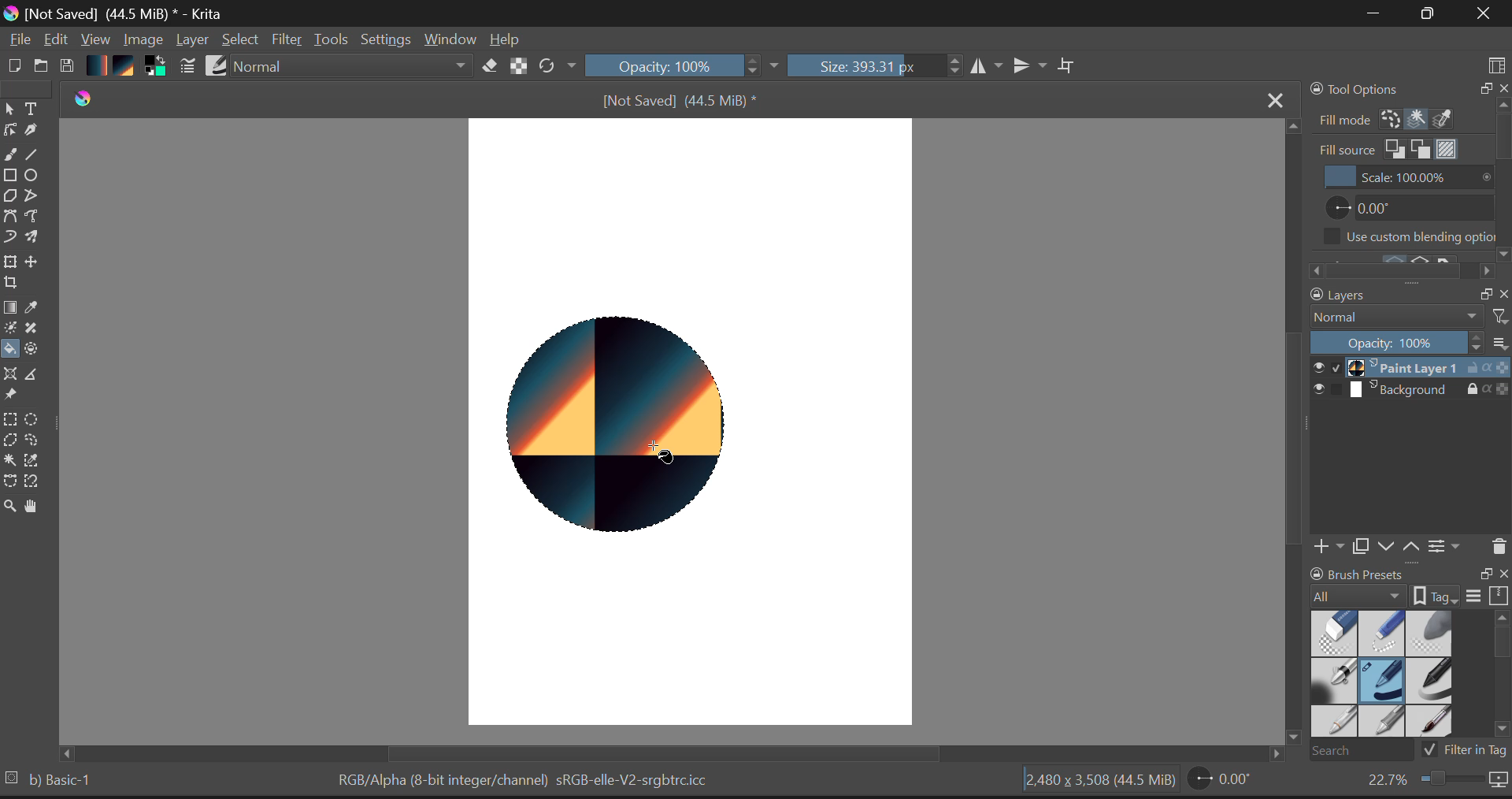  What do you see at coordinates (9, 329) in the screenshot?
I see `Colorize Mask Tool` at bounding box center [9, 329].